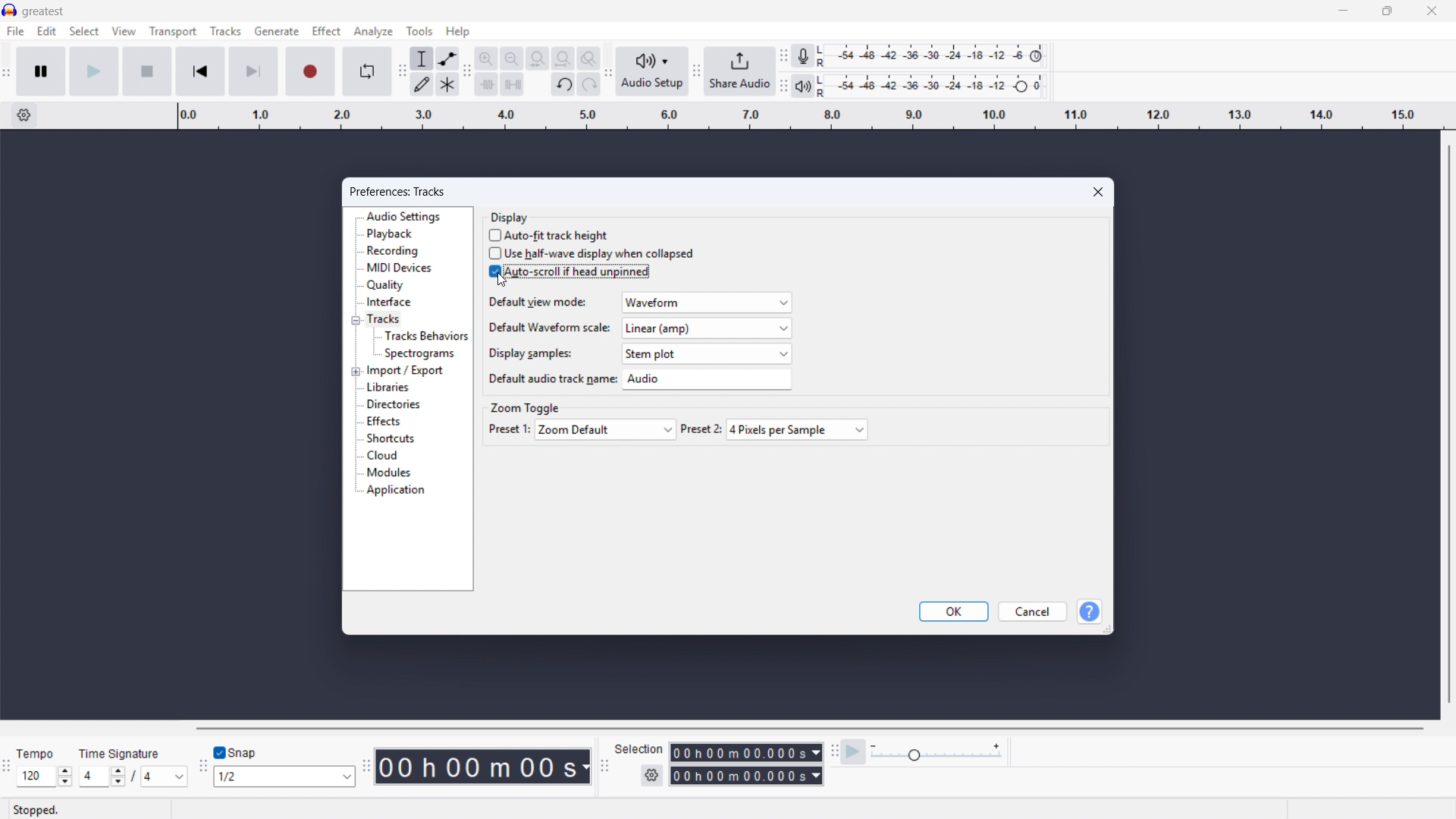 Image resolution: width=1456 pixels, height=819 pixels. Describe the element at coordinates (457, 32) in the screenshot. I see `Help ` at that location.